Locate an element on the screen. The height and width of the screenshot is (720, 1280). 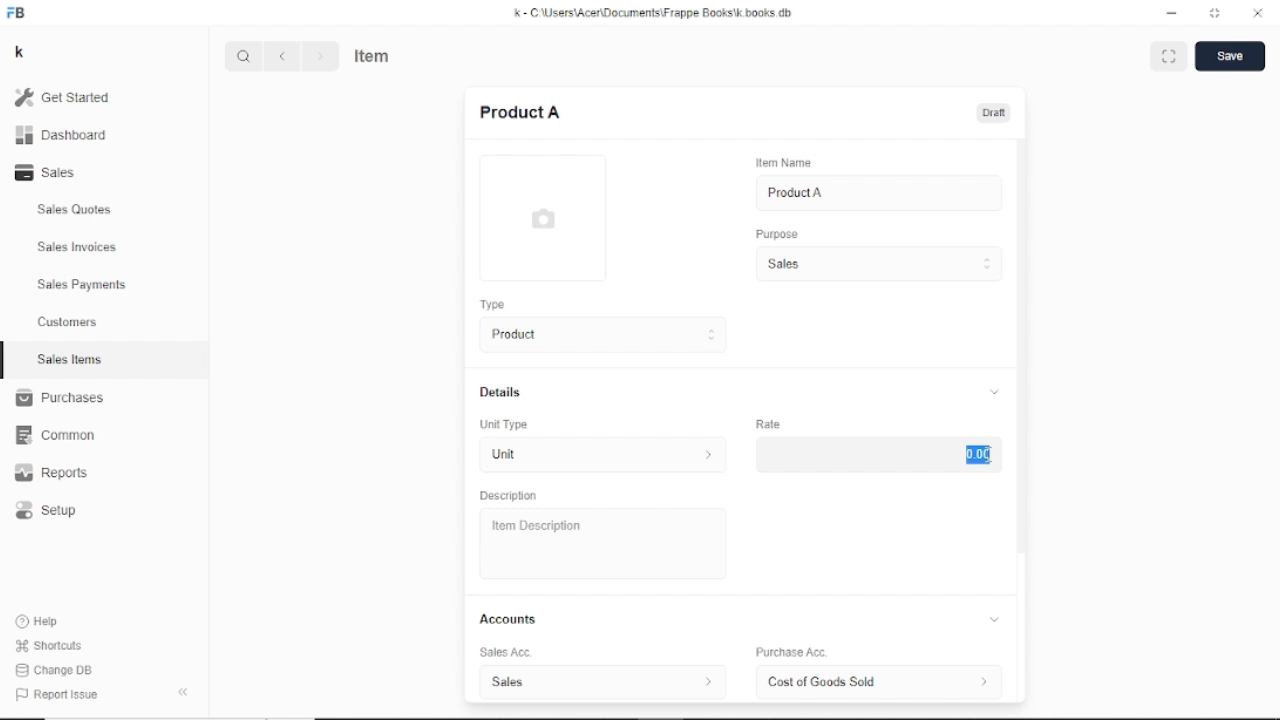
Sales Items is located at coordinates (70, 359).